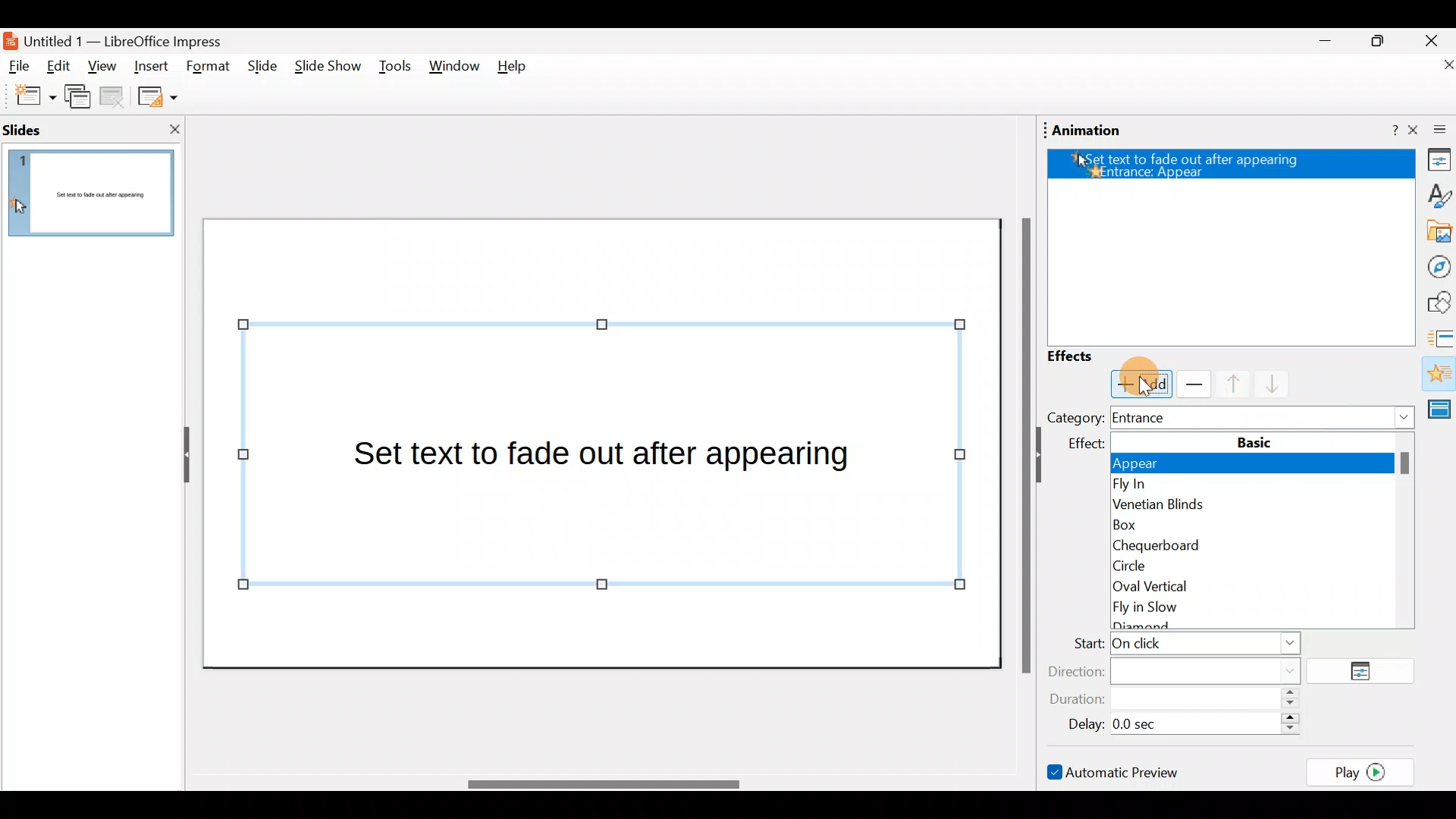  Describe the element at coordinates (1179, 700) in the screenshot. I see `Duration` at that location.